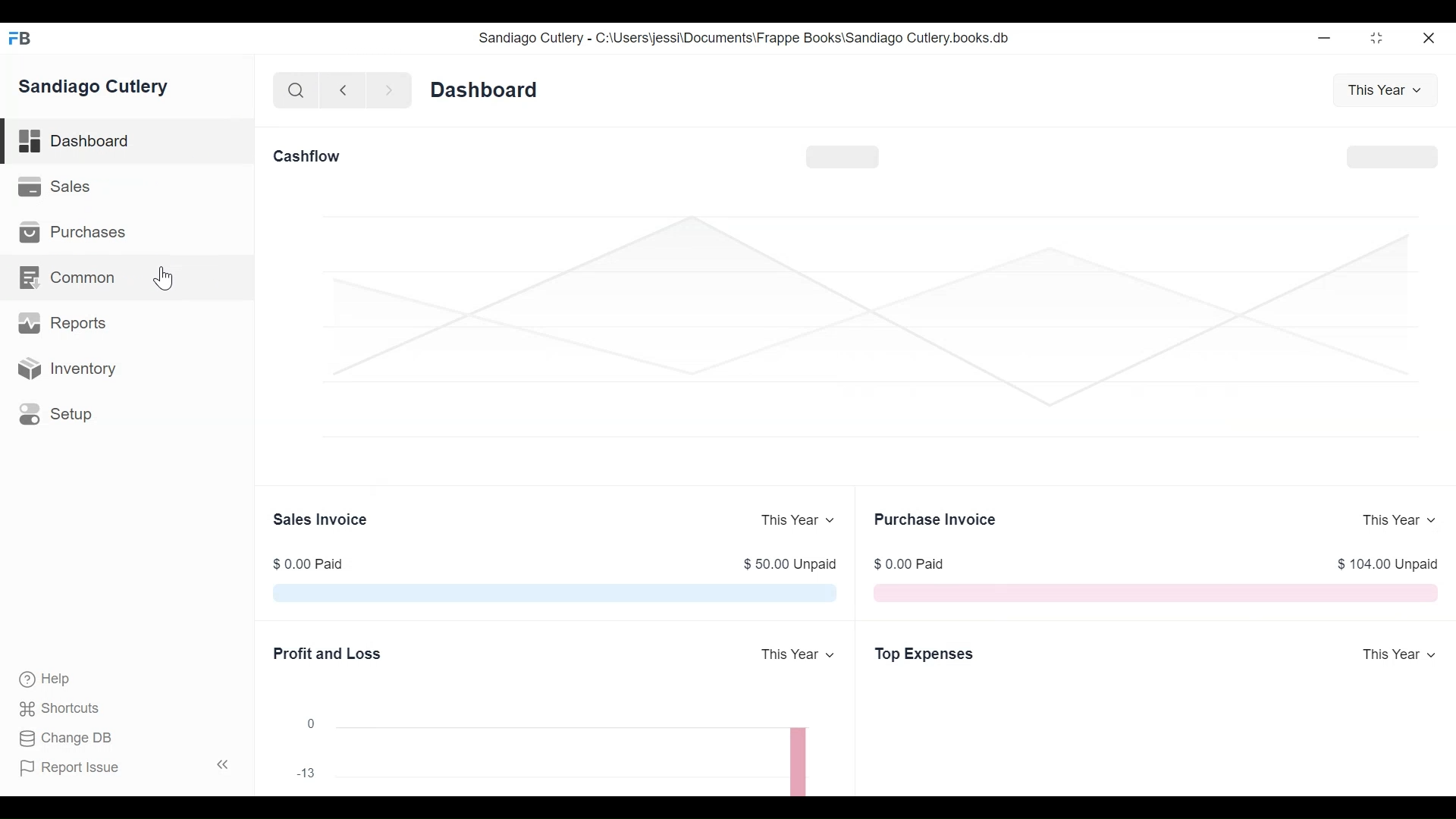  Describe the element at coordinates (71, 232) in the screenshot. I see `Purchases` at that location.